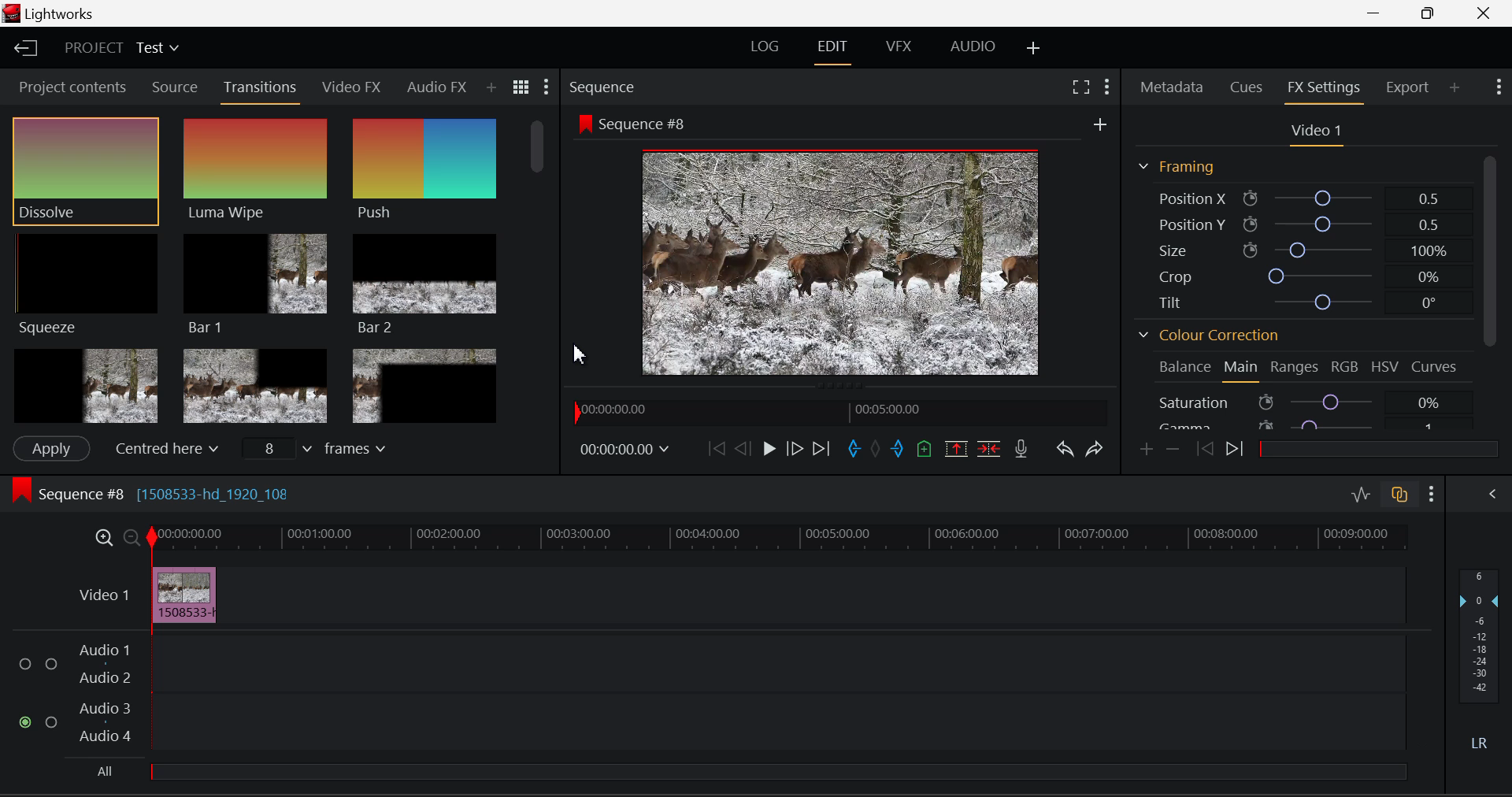 The height and width of the screenshot is (797, 1512). What do you see at coordinates (1032, 48) in the screenshot?
I see `Add Layout` at bounding box center [1032, 48].